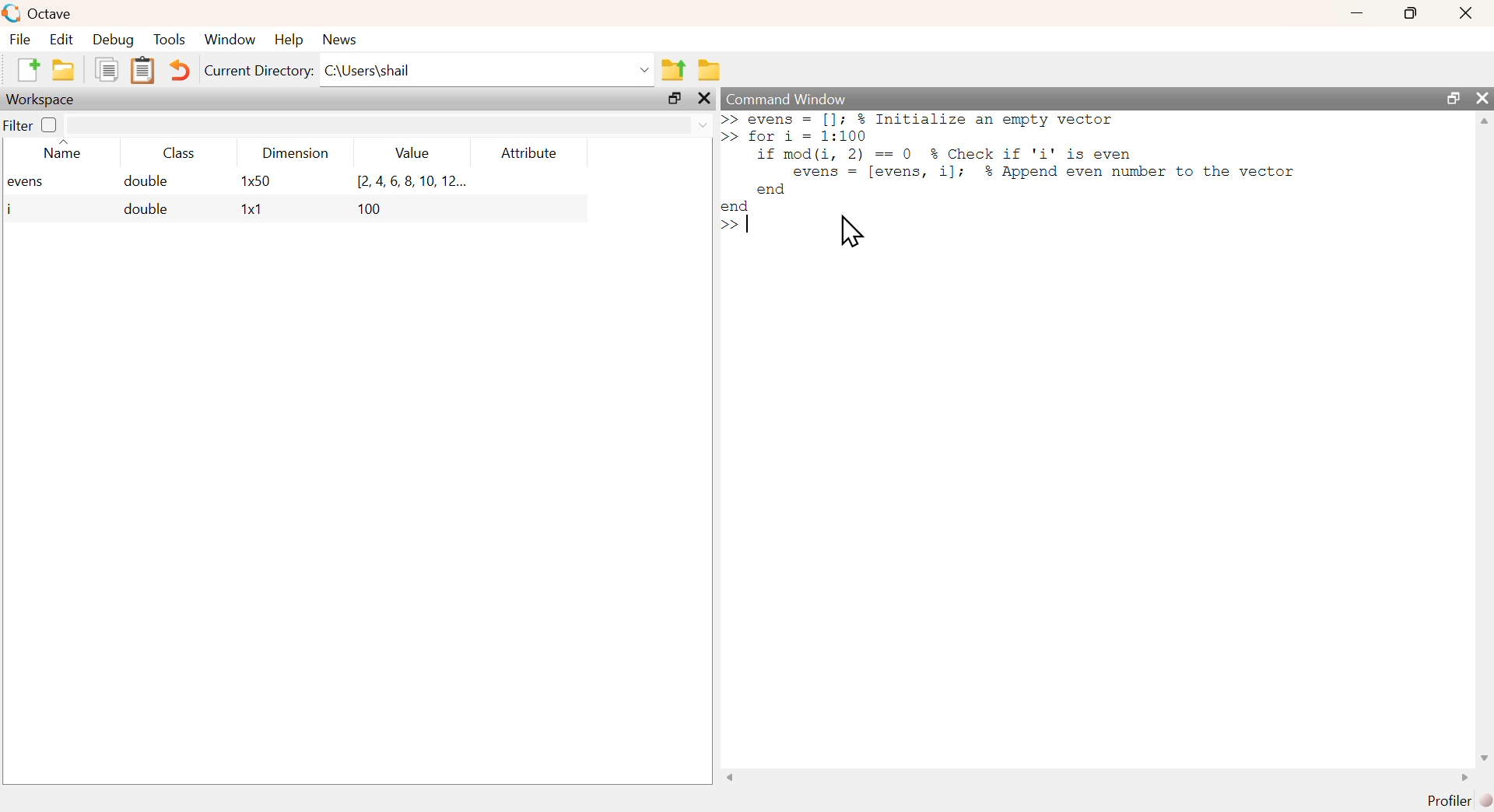 The image size is (1494, 812). What do you see at coordinates (792, 98) in the screenshot?
I see `command window` at bounding box center [792, 98].